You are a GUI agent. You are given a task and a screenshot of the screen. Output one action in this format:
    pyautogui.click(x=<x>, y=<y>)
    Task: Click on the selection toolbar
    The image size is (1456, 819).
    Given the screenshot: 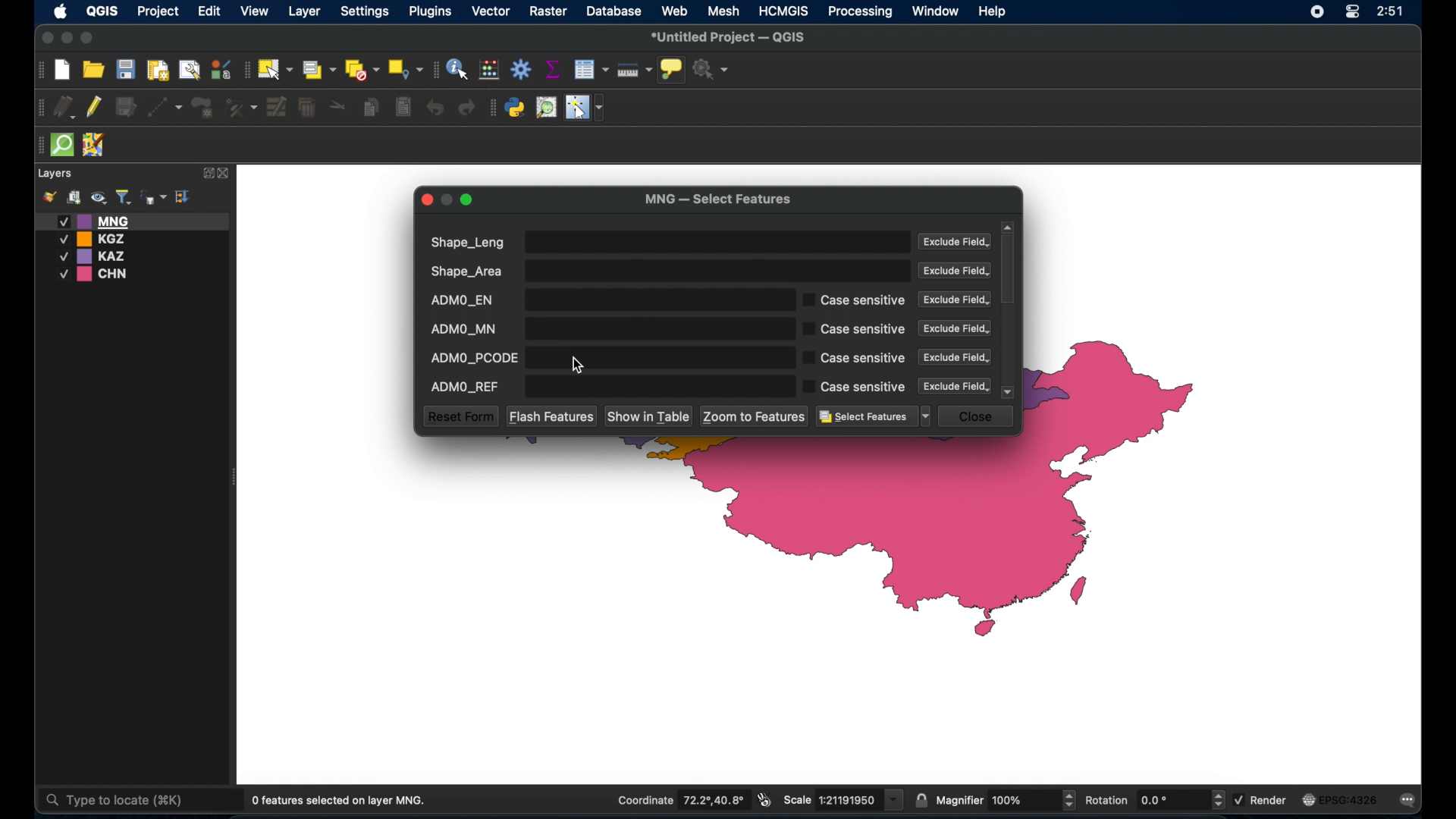 What is the action you would take?
    pyautogui.click(x=245, y=68)
    